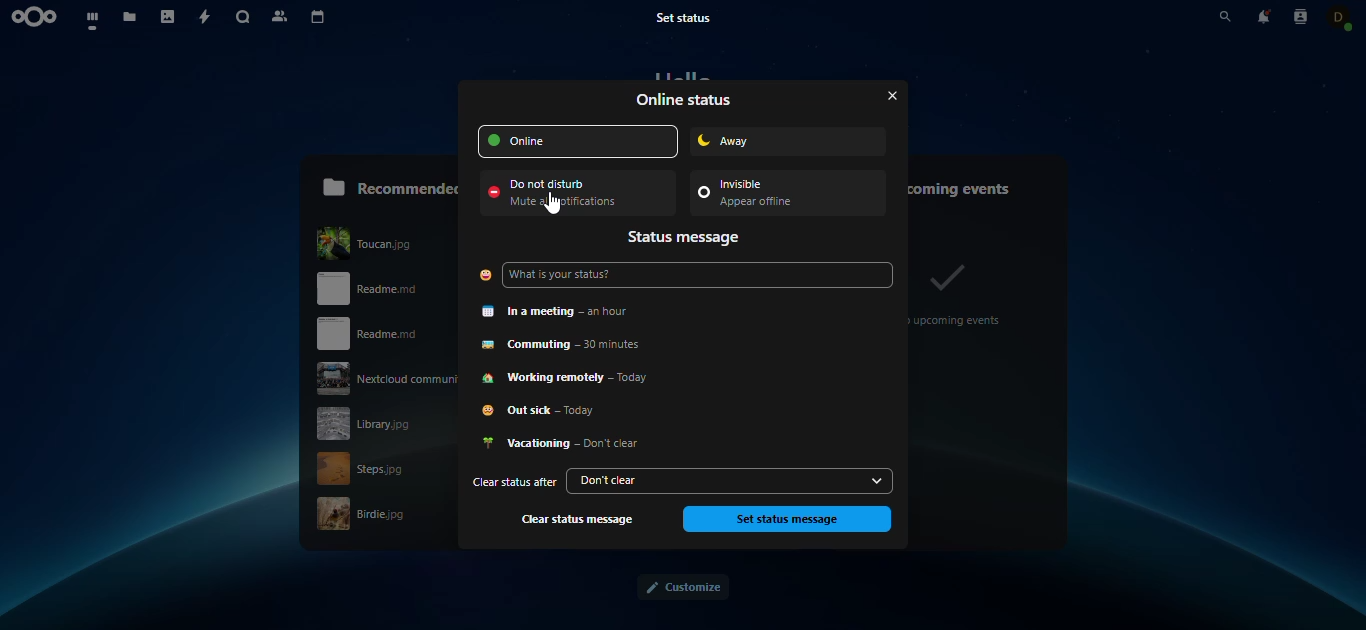 The width and height of the screenshot is (1366, 630). I want to click on clear status message, so click(580, 519).